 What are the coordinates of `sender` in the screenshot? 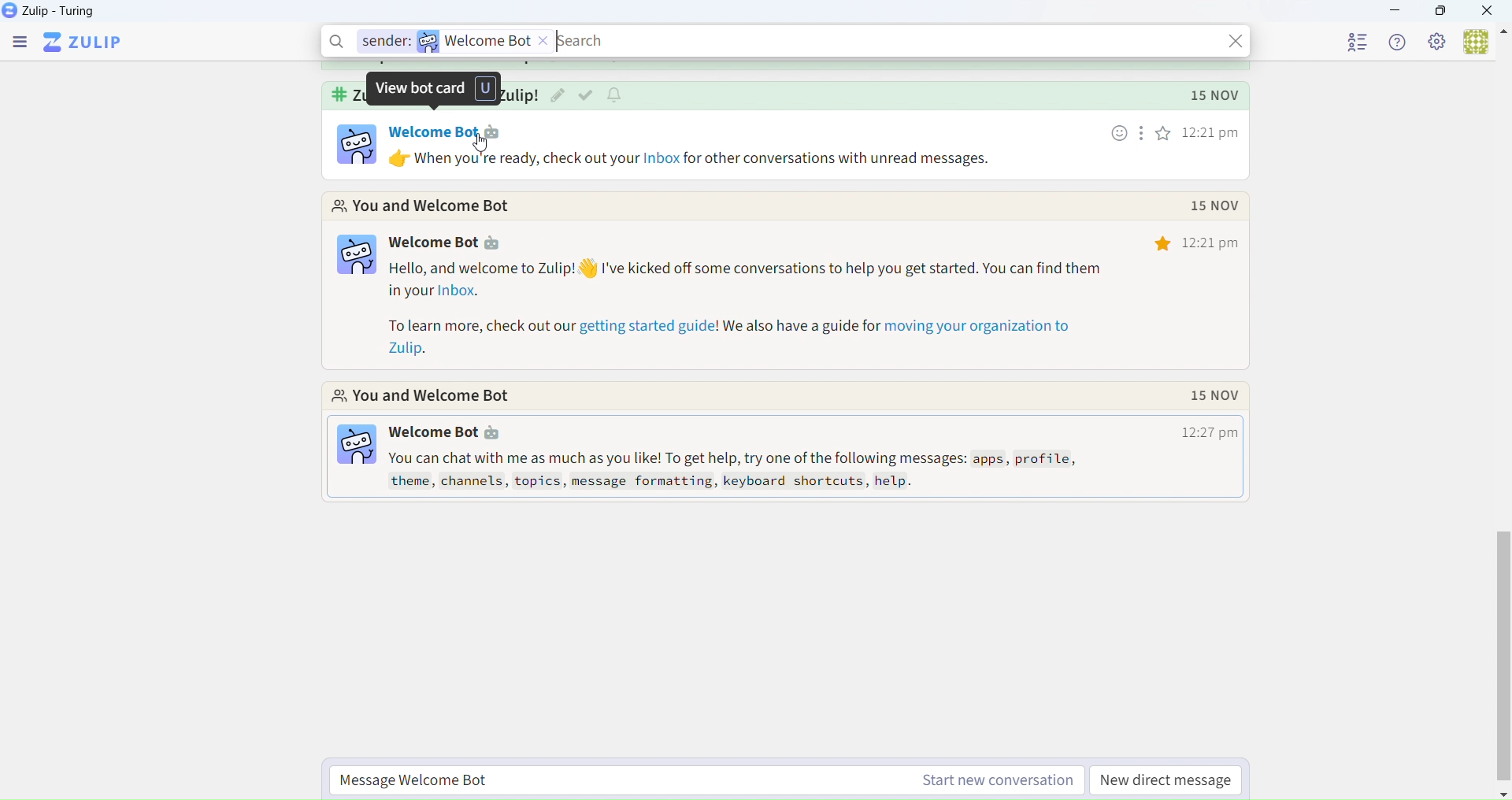 It's located at (383, 42).